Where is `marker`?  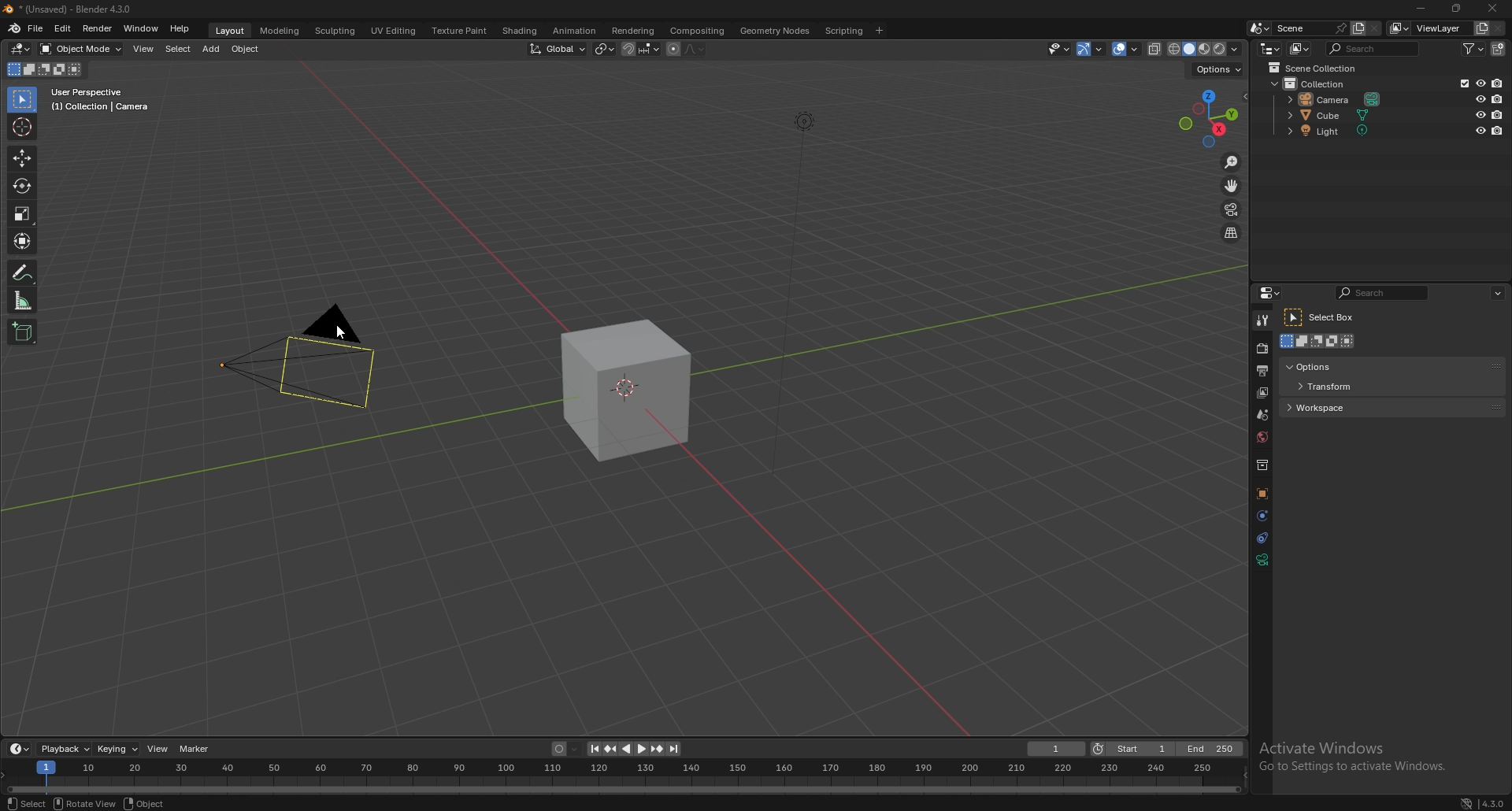 marker is located at coordinates (196, 749).